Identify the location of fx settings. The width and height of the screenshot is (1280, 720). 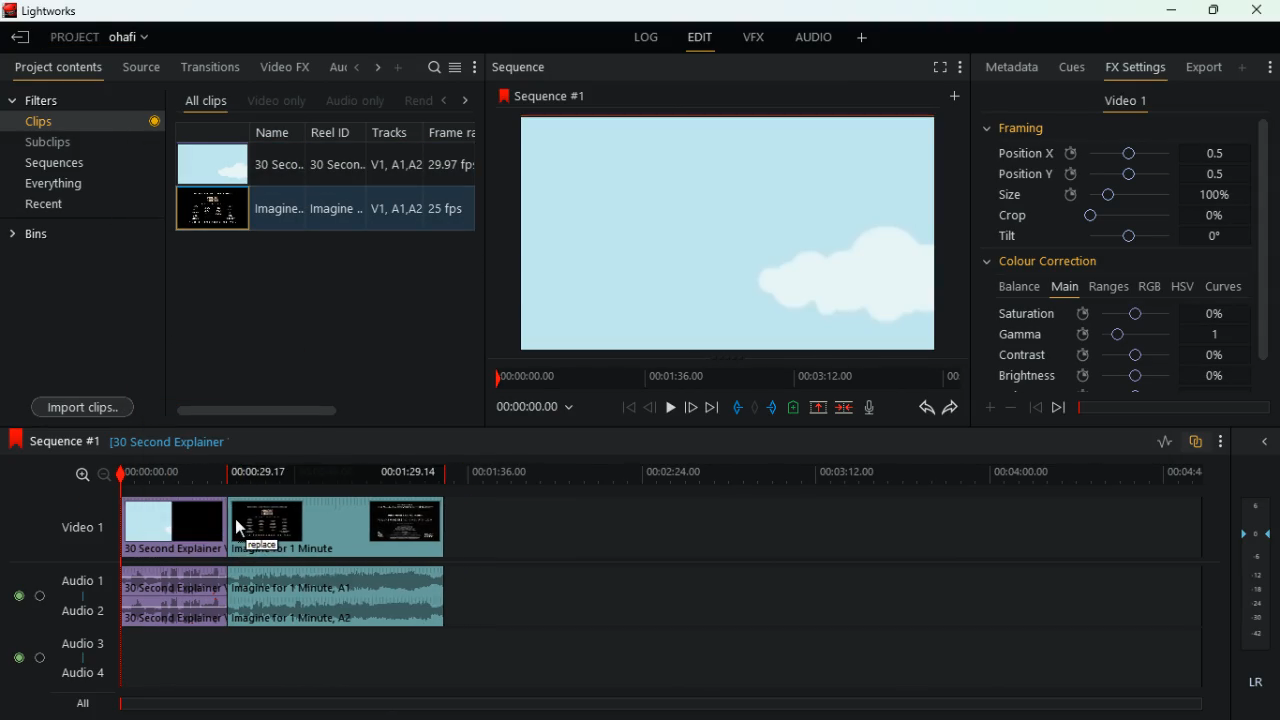
(1134, 66).